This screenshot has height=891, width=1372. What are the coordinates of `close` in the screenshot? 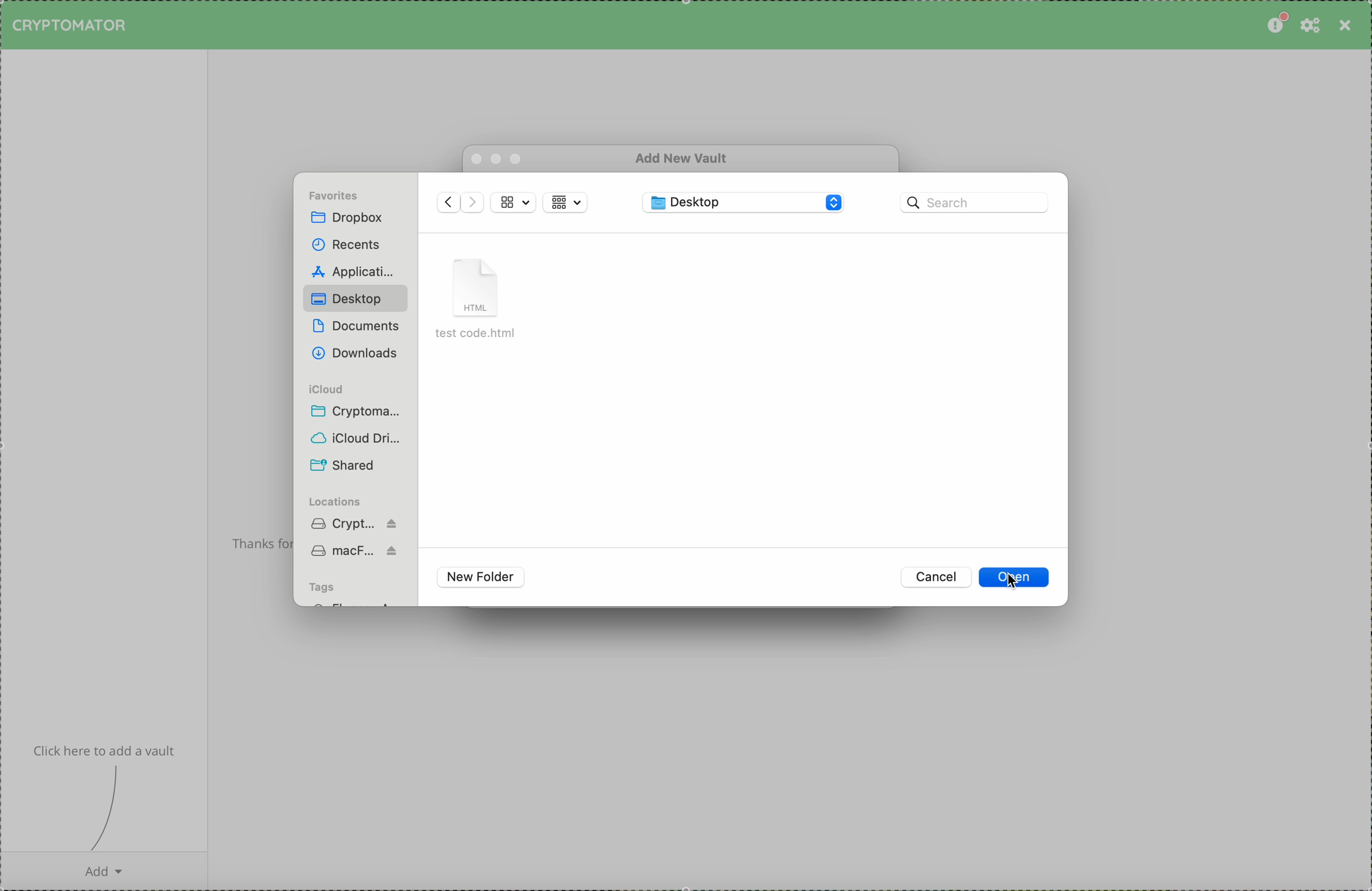 It's located at (1345, 26).